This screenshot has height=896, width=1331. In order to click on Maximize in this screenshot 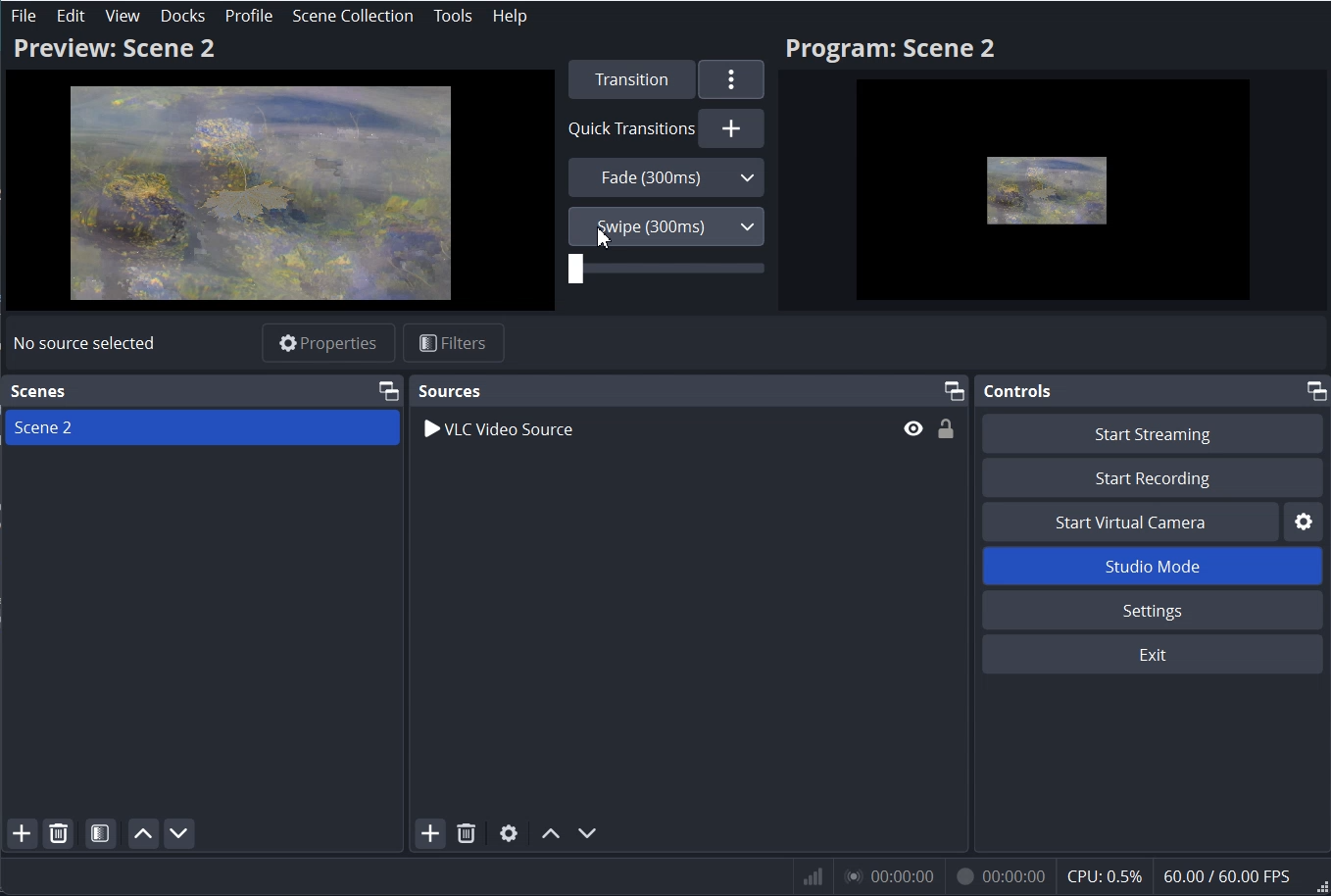, I will do `click(955, 390)`.